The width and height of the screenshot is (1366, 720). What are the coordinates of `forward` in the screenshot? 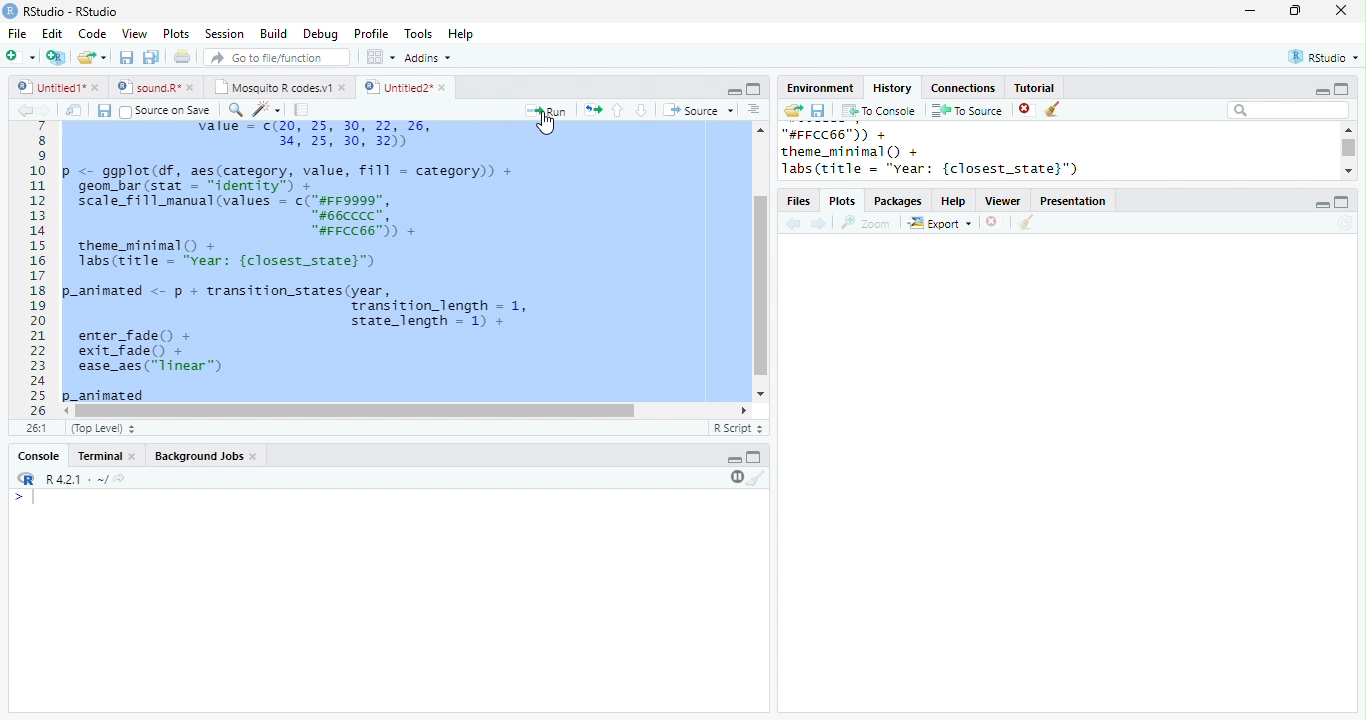 It's located at (819, 224).